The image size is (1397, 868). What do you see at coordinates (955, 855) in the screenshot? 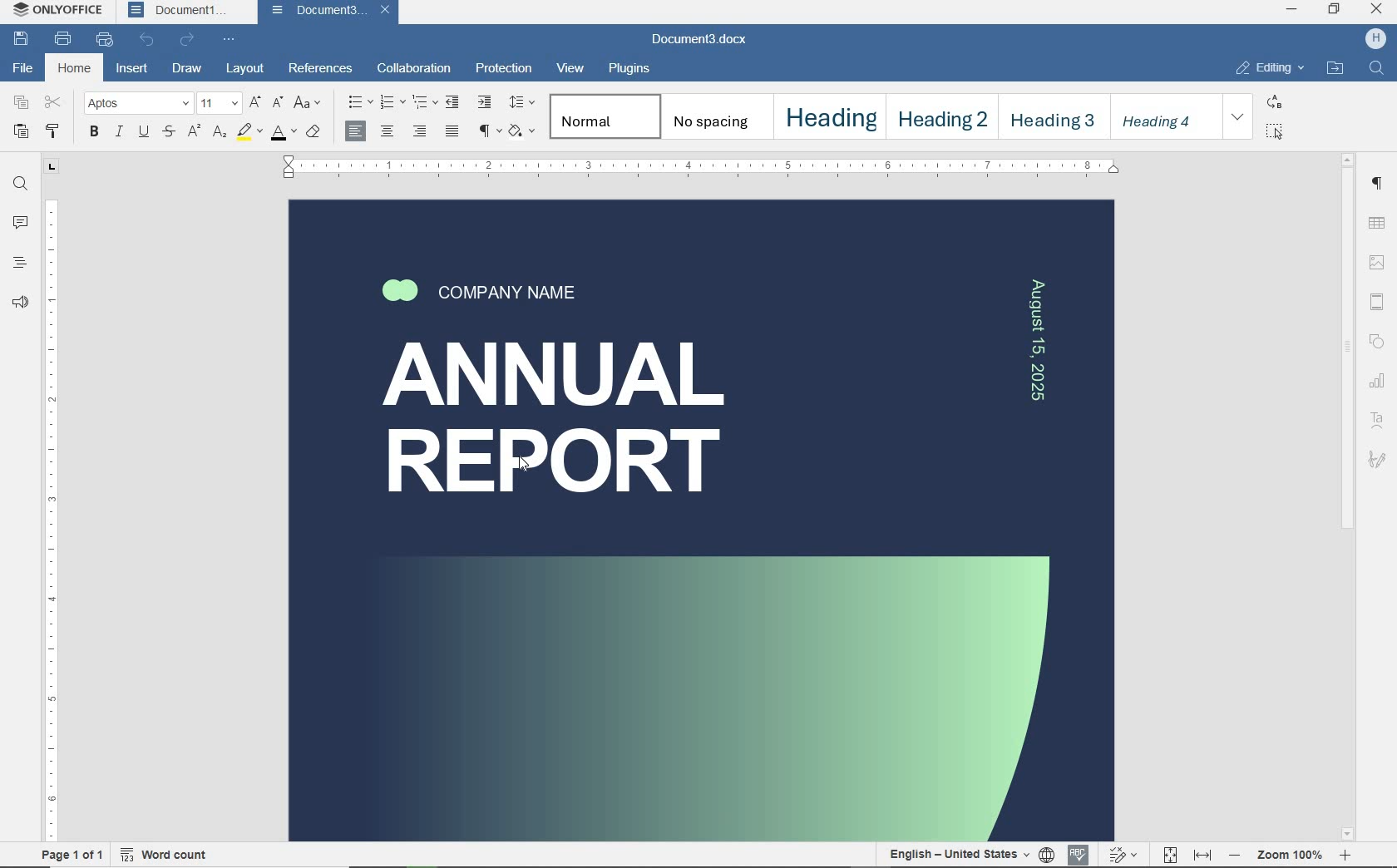
I see `English — United States ` at bounding box center [955, 855].